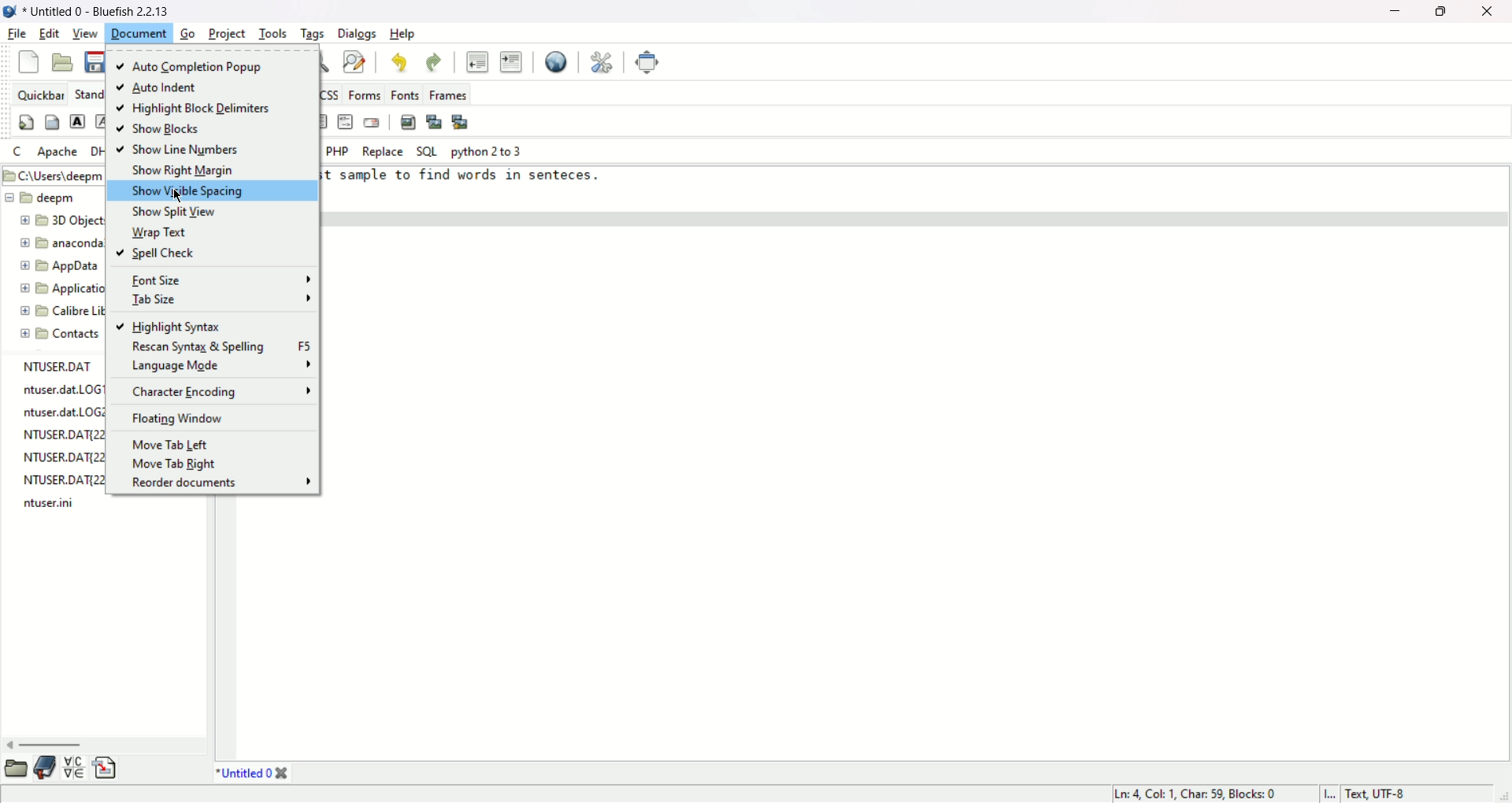 The width and height of the screenshot is (1512, 803). What do you see at coordinates (62, 479) in the screenshot?
I see `NTUSER.DAT[22128aa0-2361-11ee-` at bounding box center [62, 479].